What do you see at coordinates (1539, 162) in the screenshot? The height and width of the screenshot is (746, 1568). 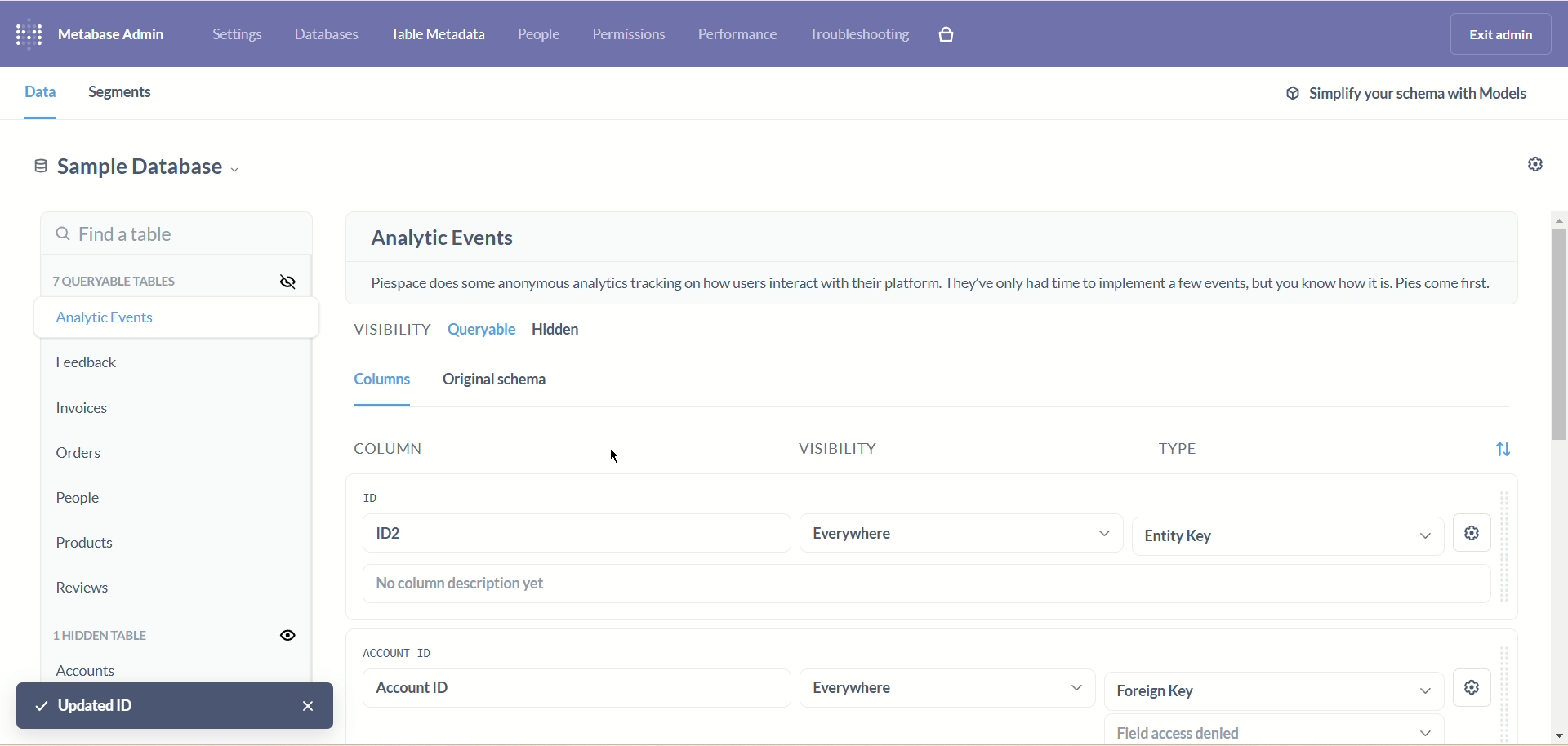 I see `Settings` at bounding box center [1539, 162].